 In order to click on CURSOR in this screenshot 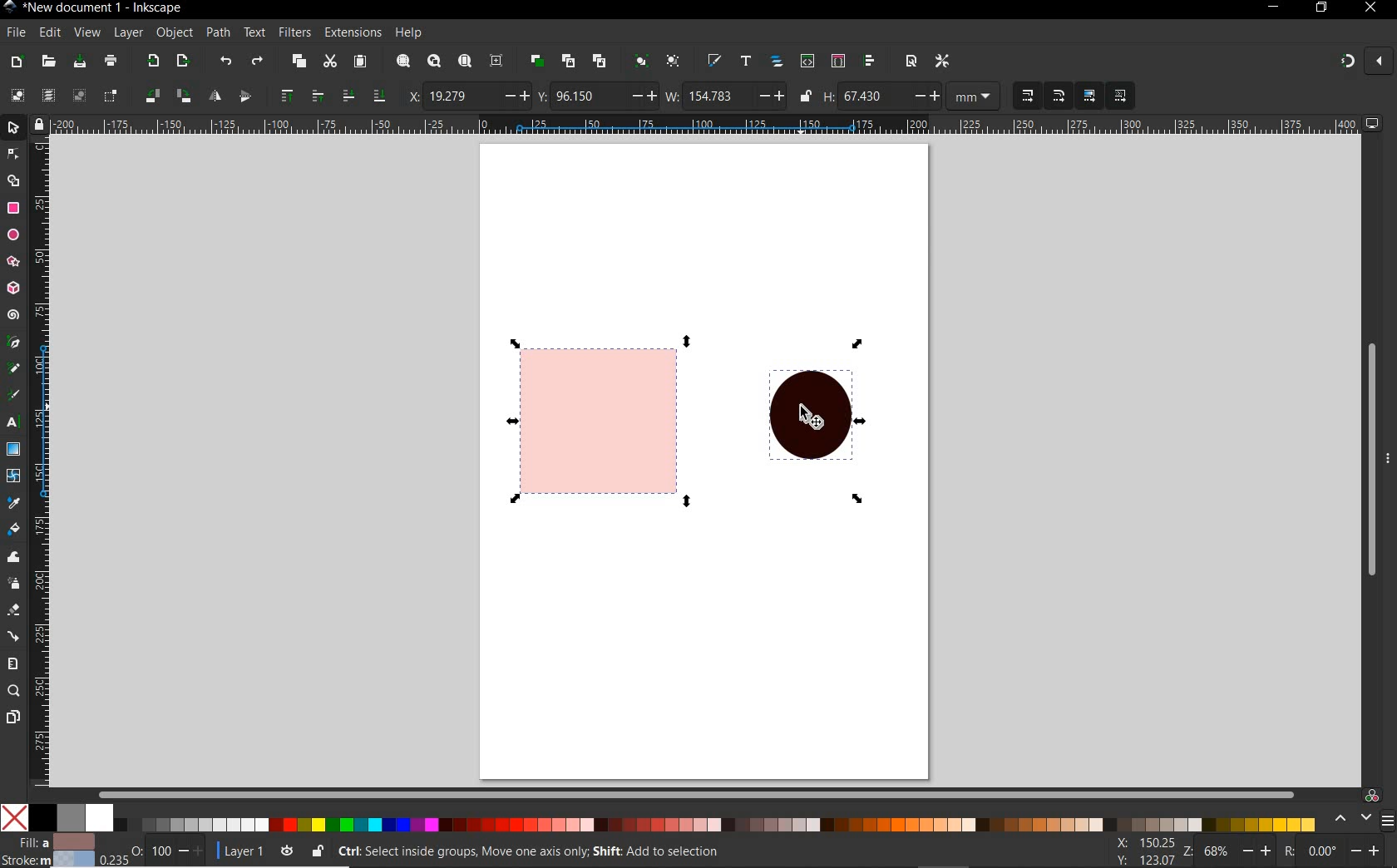, I will do `click(813, 420)`.